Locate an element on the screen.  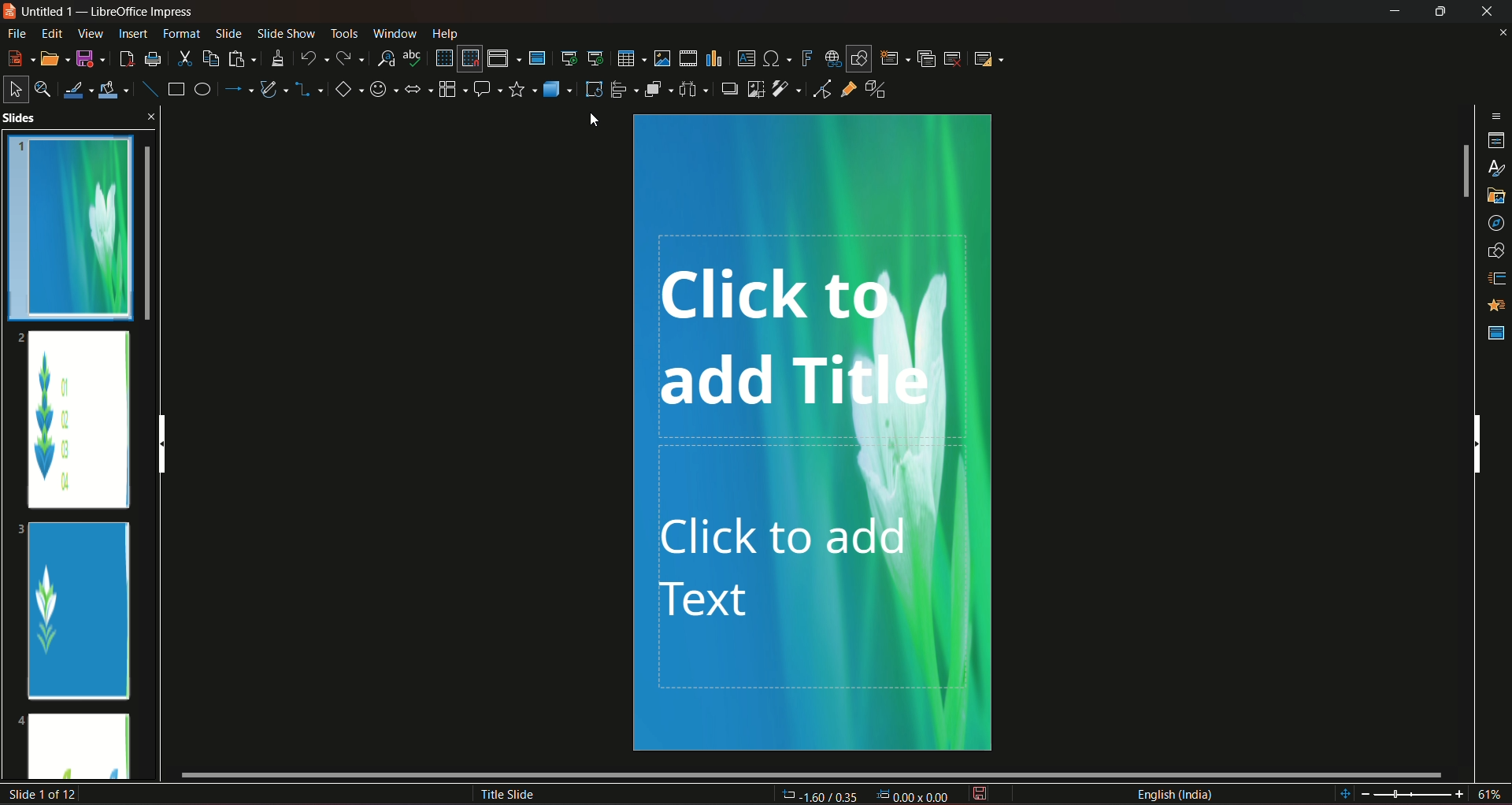
slideshow is located at coordinates (284, 32).